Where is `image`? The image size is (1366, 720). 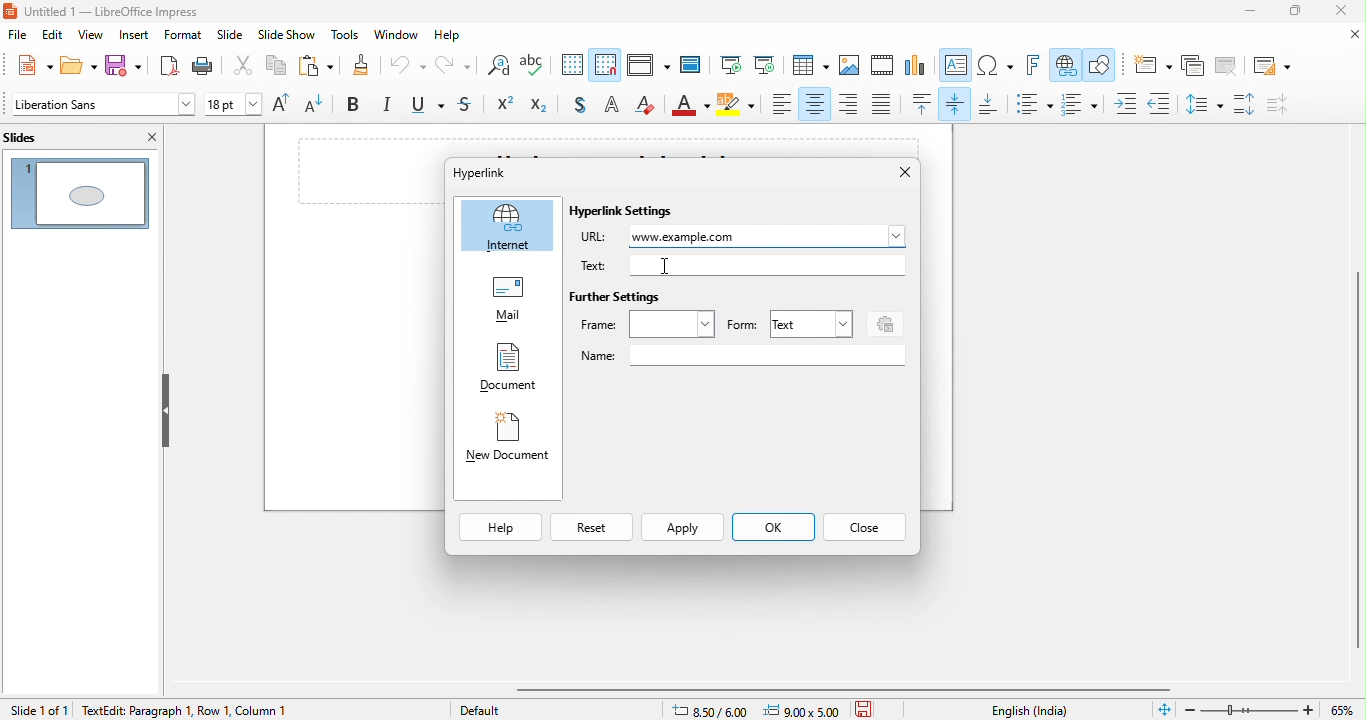
image is located at coordinates (850, 66).